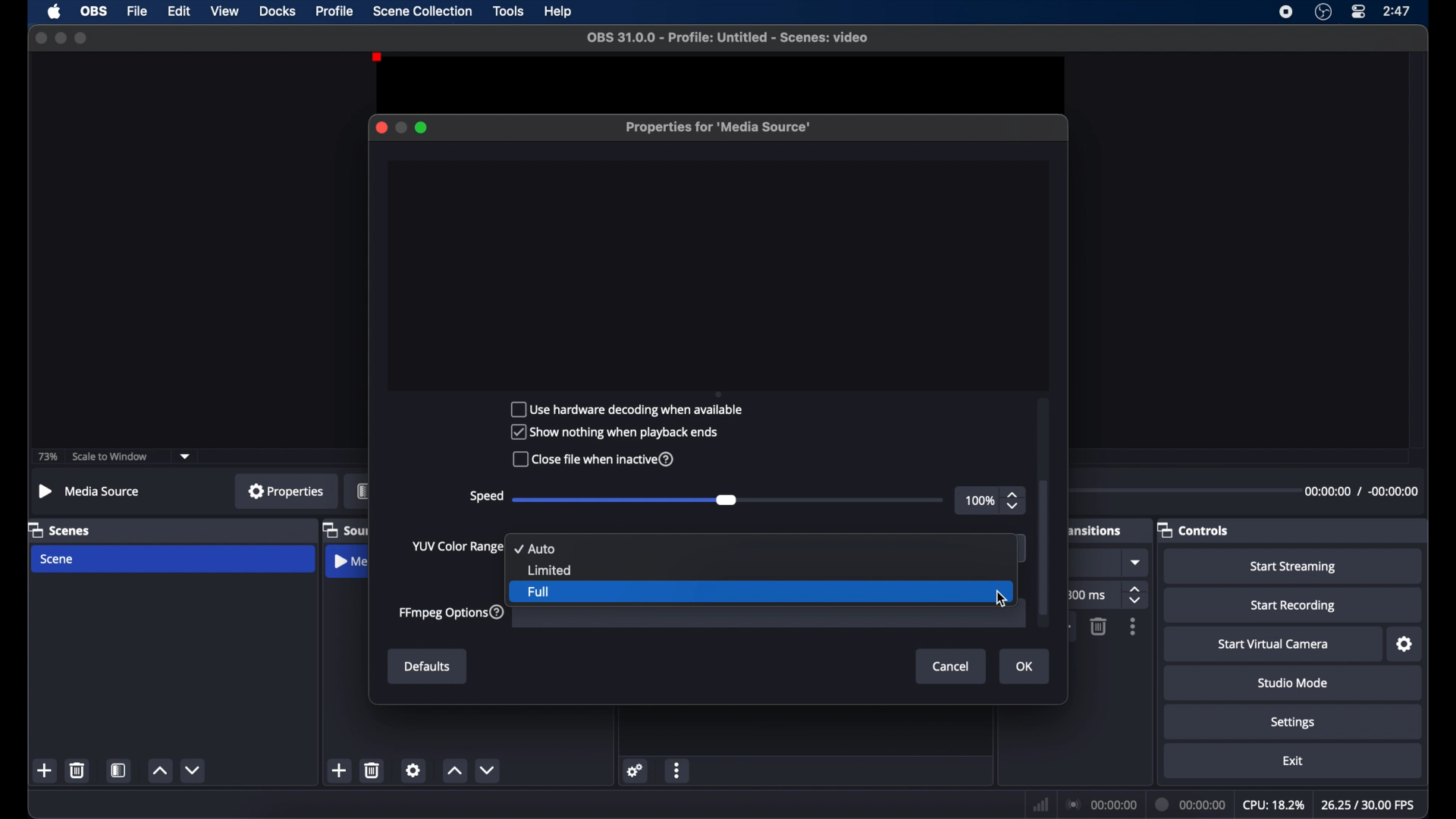 The image size is (1456, 819). Describe the element at coordinates (138, 11) in the screenshot. I see `file` at that location.